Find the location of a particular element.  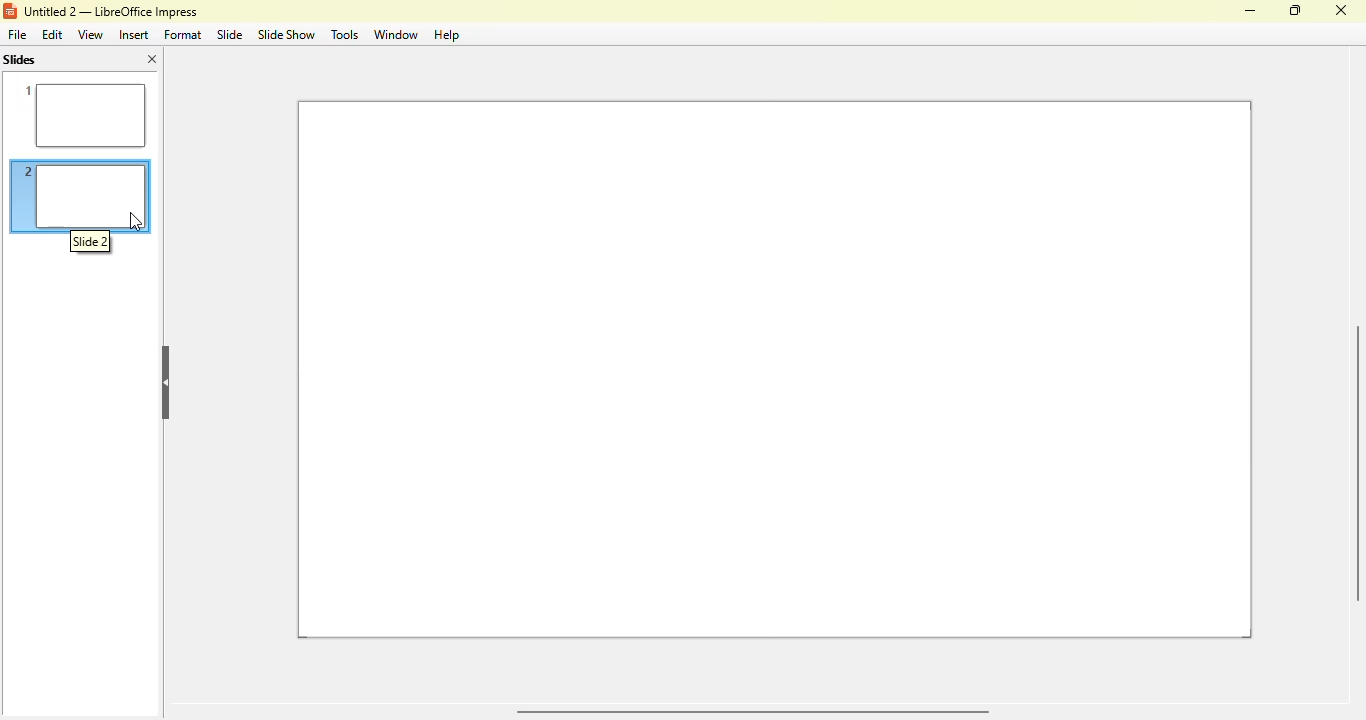

file is located at coordinates (16, 34).